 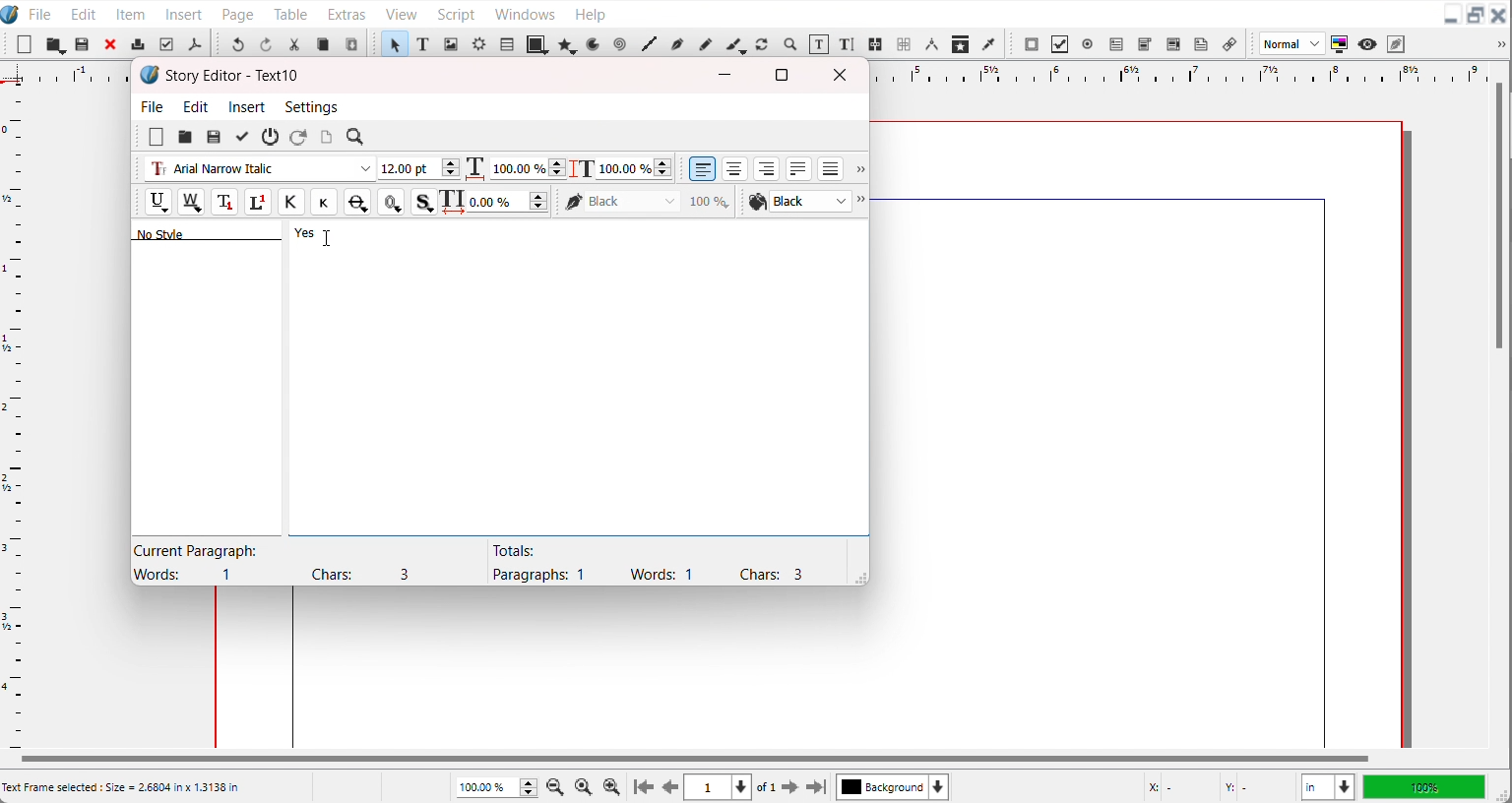 What do you see at coordinates (224, 202) in the screenshot?
I see `Subscript` at bounding box center [224, 202].